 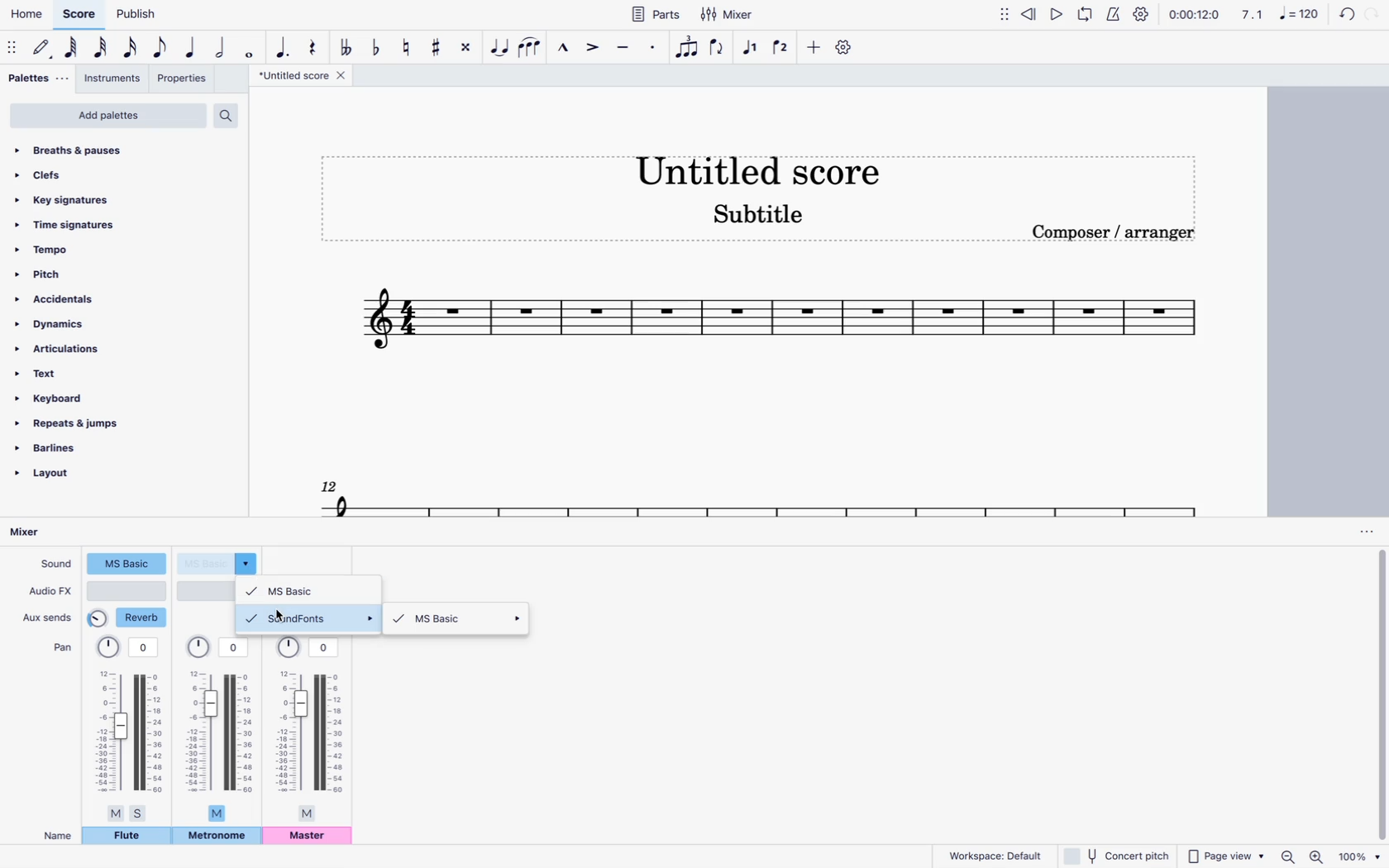 I want to click on voice 2, so click(x=782, y=50).